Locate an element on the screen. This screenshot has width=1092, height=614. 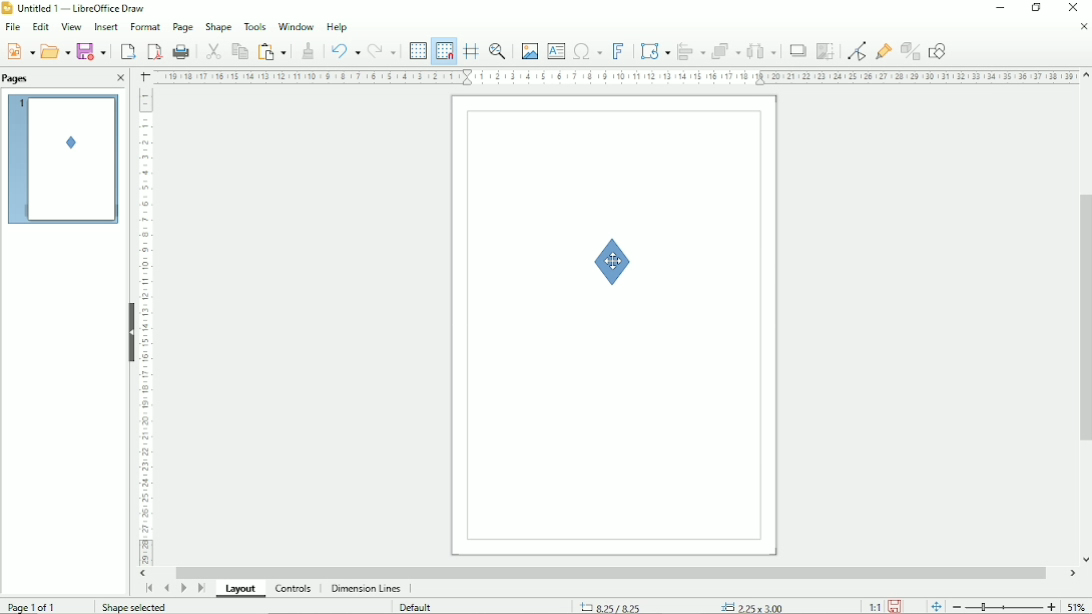
Display grid is located at coordinates (417, 49).